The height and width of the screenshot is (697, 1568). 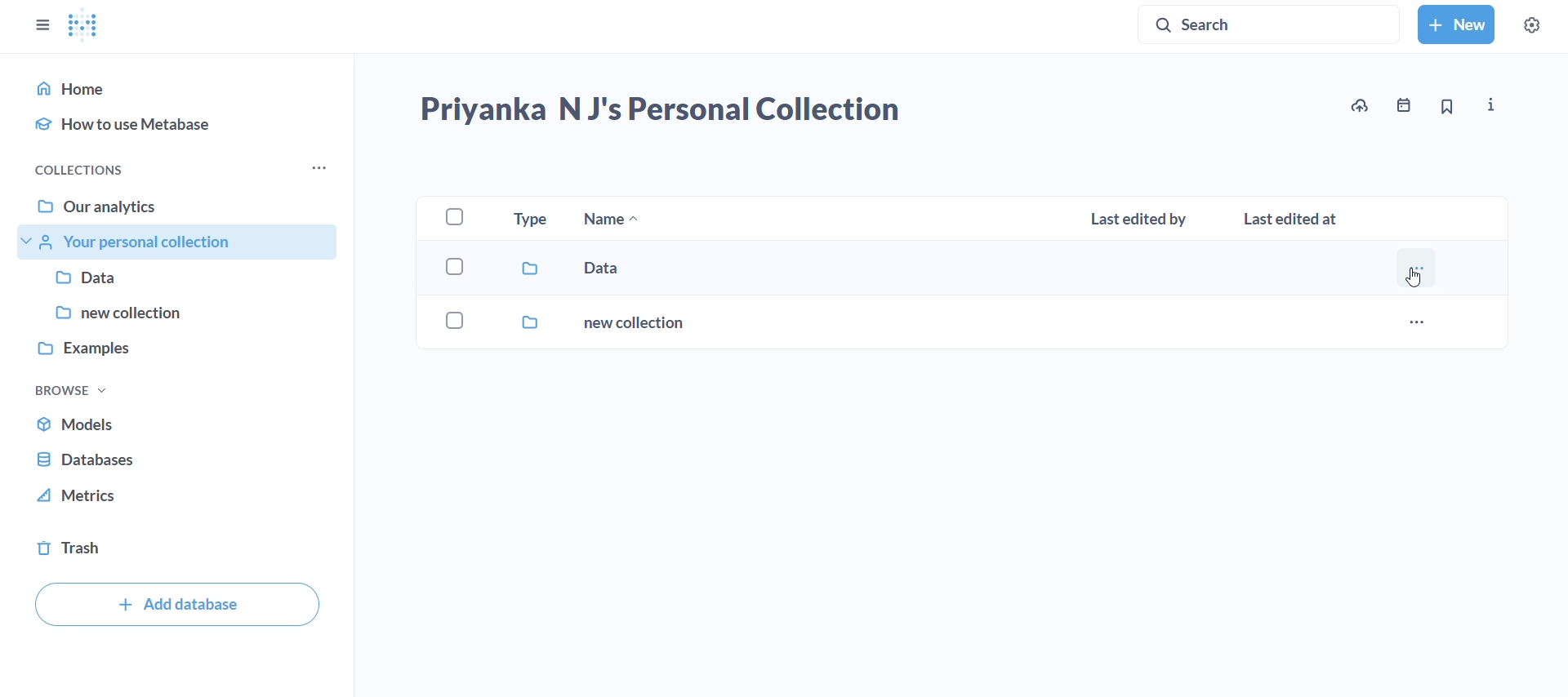 I want to click on new collection, so click(x=571, y=326).